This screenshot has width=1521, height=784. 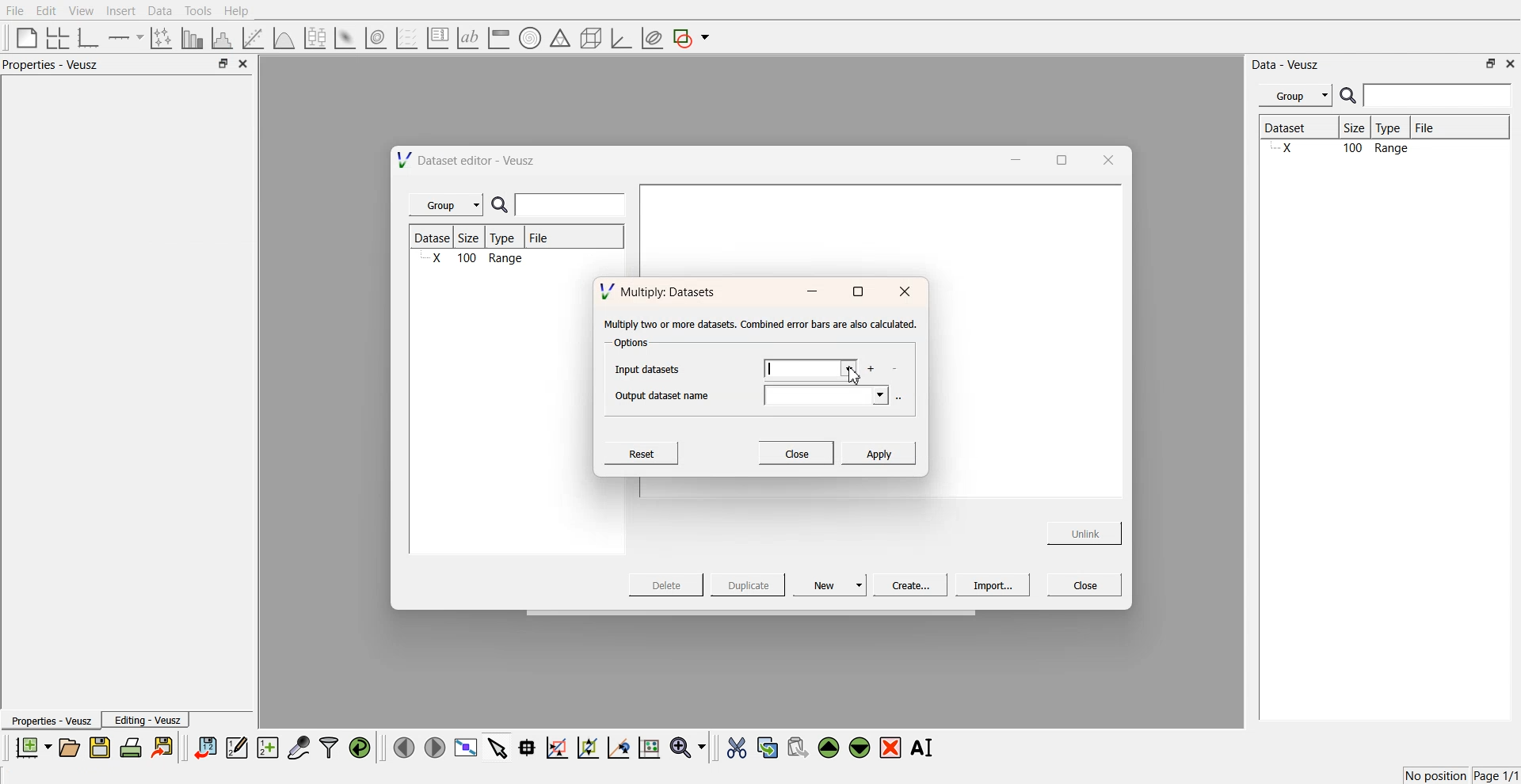 What do you see at coordinates (242, 13) in the screenshot?
I see `Help` at bounding box center [242, 13].